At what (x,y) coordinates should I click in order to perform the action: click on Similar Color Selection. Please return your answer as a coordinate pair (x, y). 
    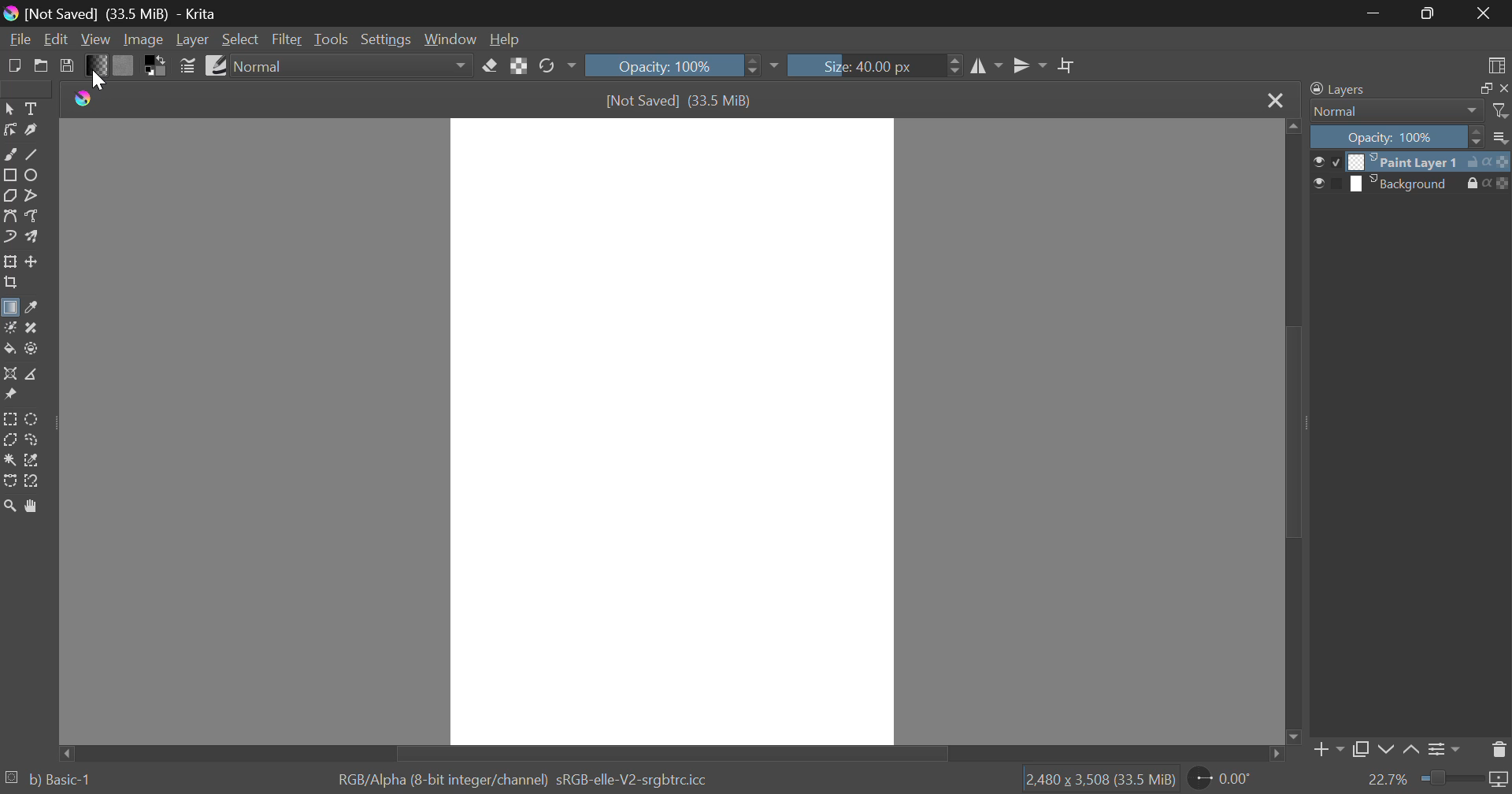
    Looking at the image, I should click on (32, 461).